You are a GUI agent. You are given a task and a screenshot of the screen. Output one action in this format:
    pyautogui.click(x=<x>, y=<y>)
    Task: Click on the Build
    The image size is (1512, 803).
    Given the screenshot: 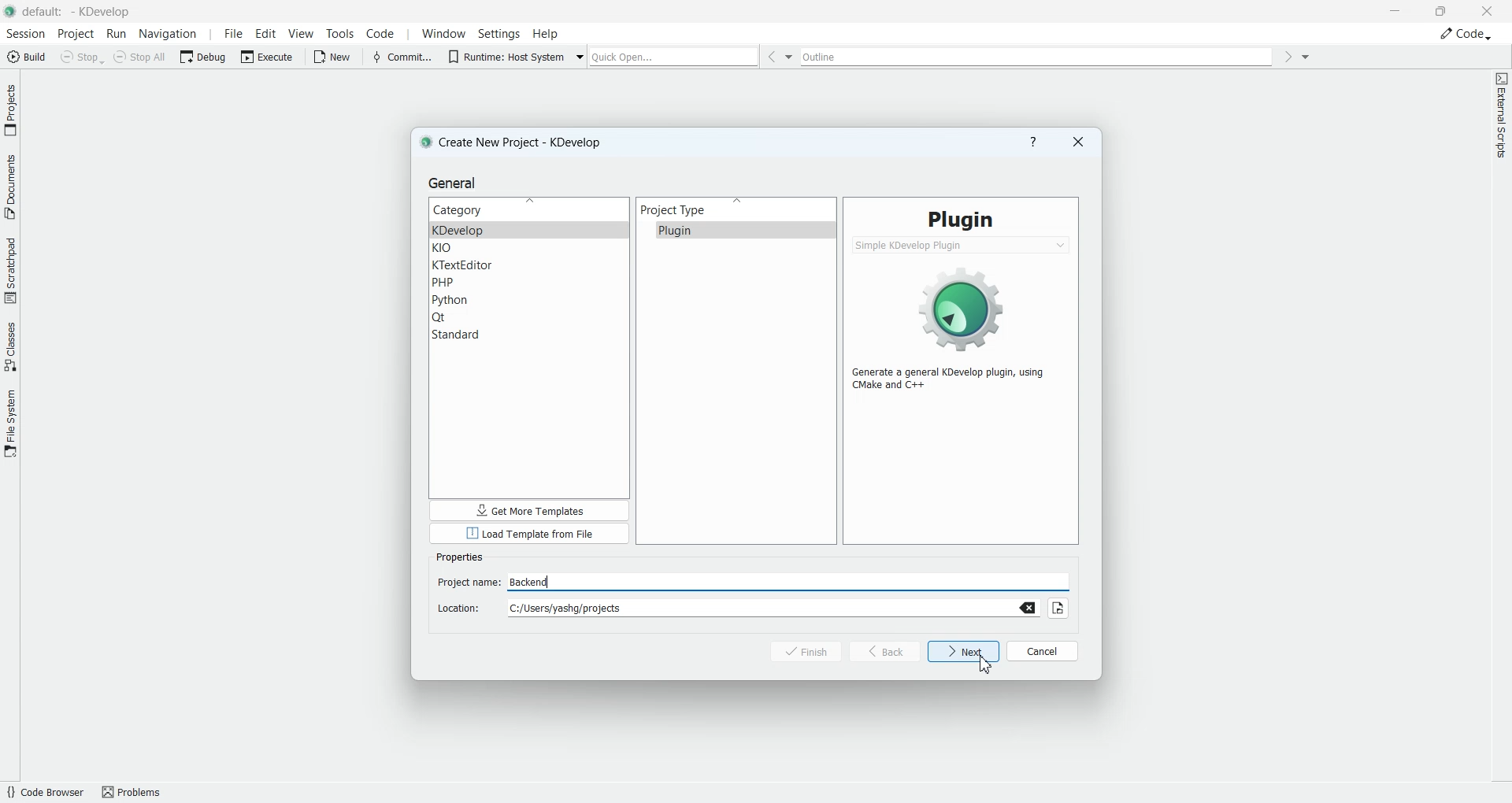 What is the action you would take?
    pyautogui.click(x=25, y=56)
    